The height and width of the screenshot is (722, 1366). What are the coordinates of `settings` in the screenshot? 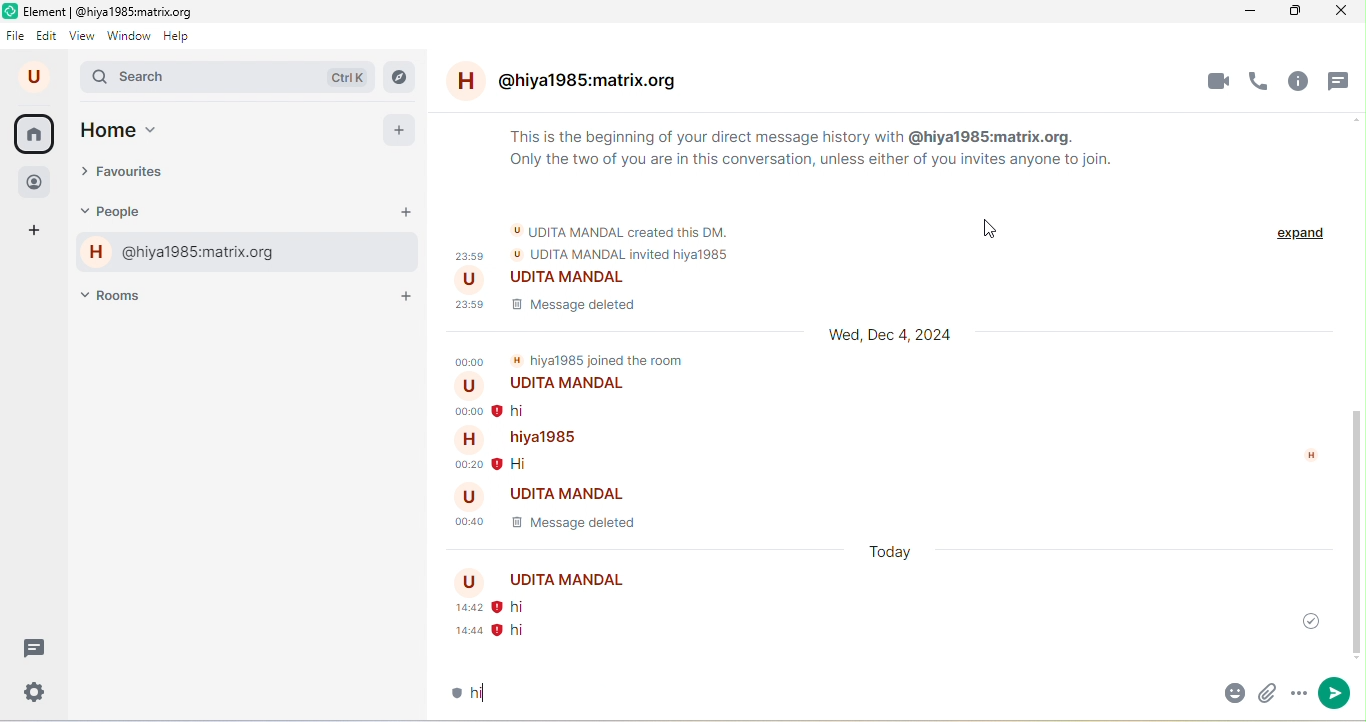 It's located at (36, 691).